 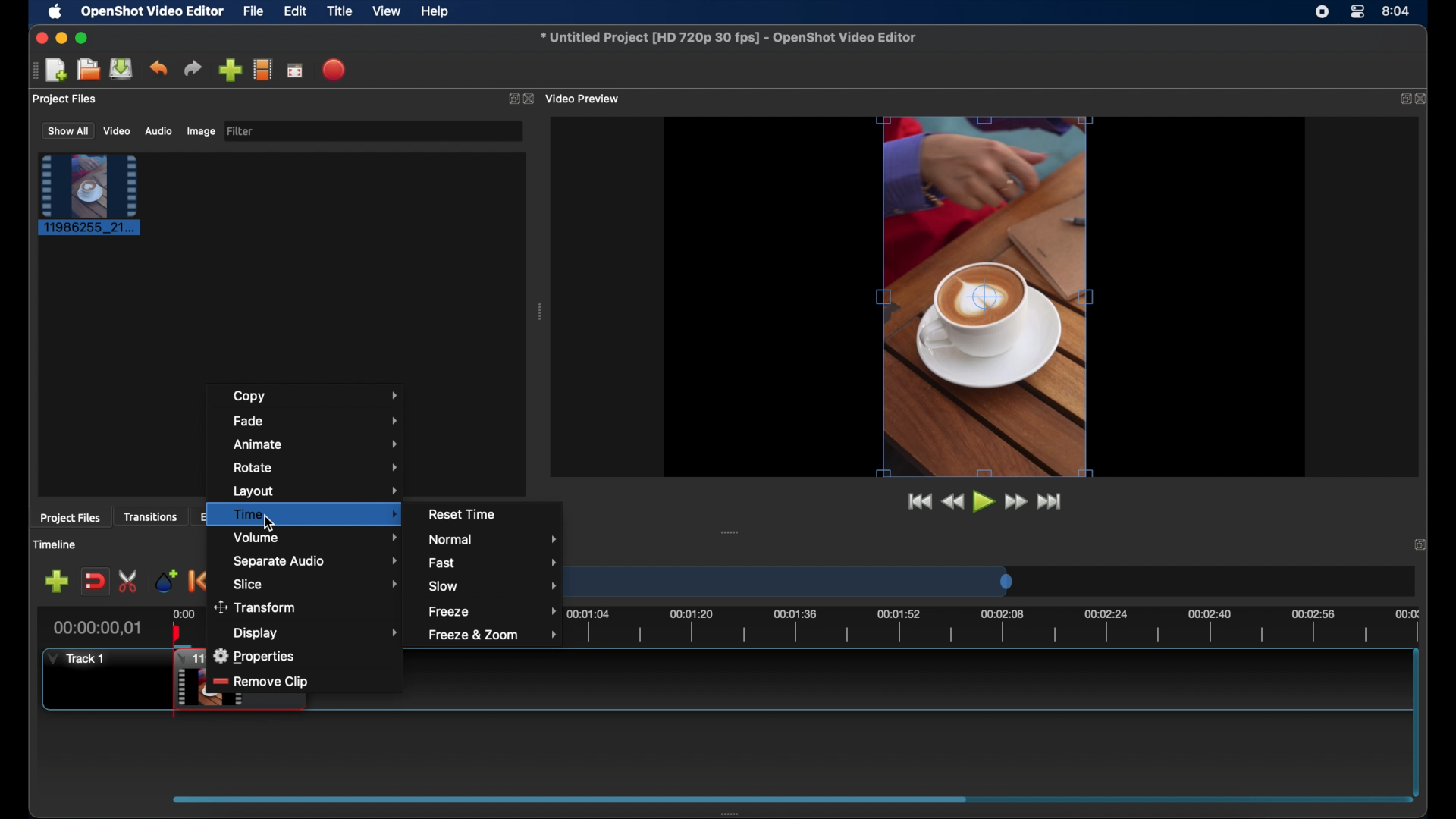 What do you see at coordinates (1049, 502) in the screenshot?
I see `jump to end` at bounding box center [1049, 502].